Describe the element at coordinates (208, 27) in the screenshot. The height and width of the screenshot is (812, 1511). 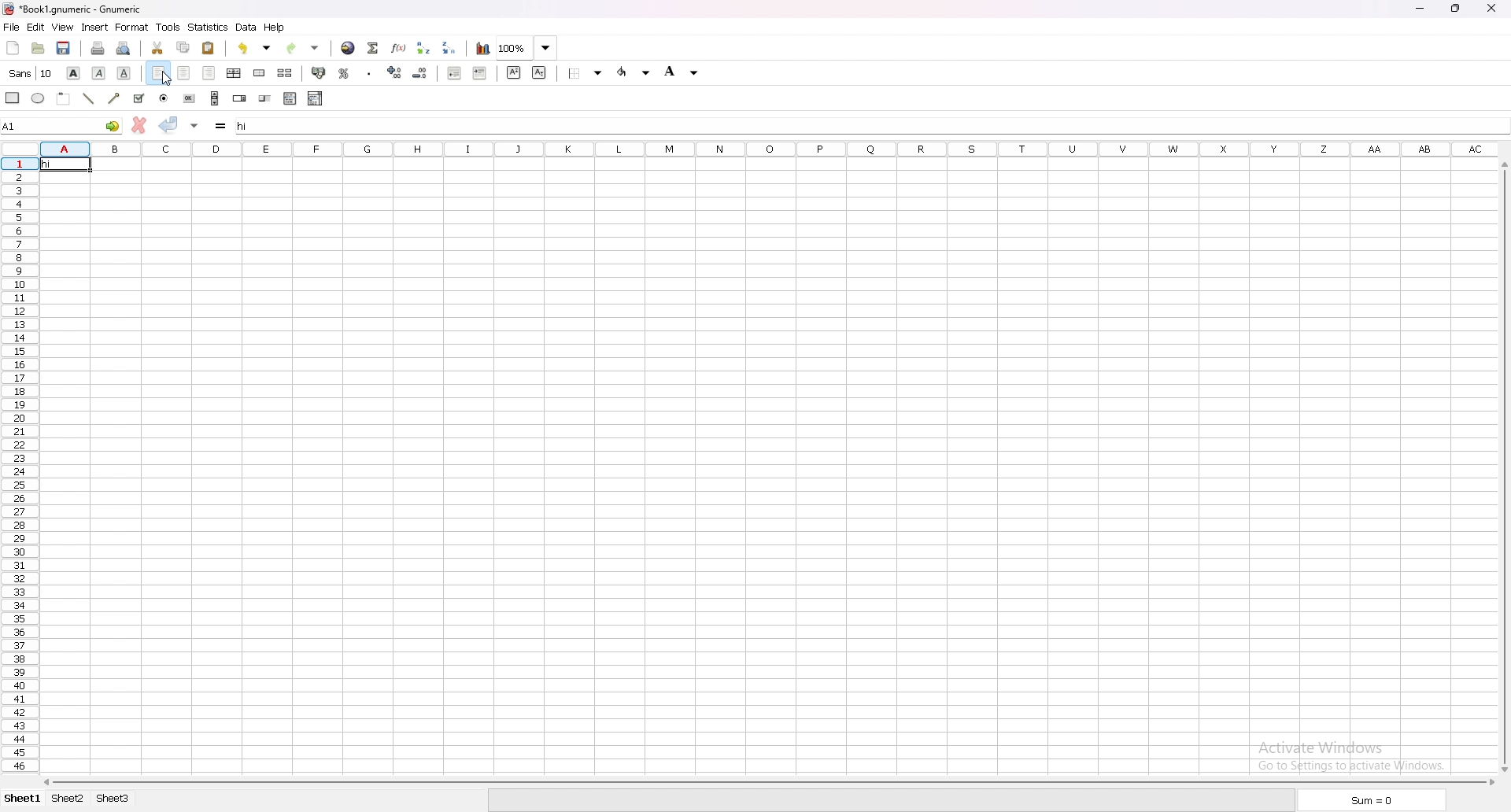
I see `statistics` at that location.